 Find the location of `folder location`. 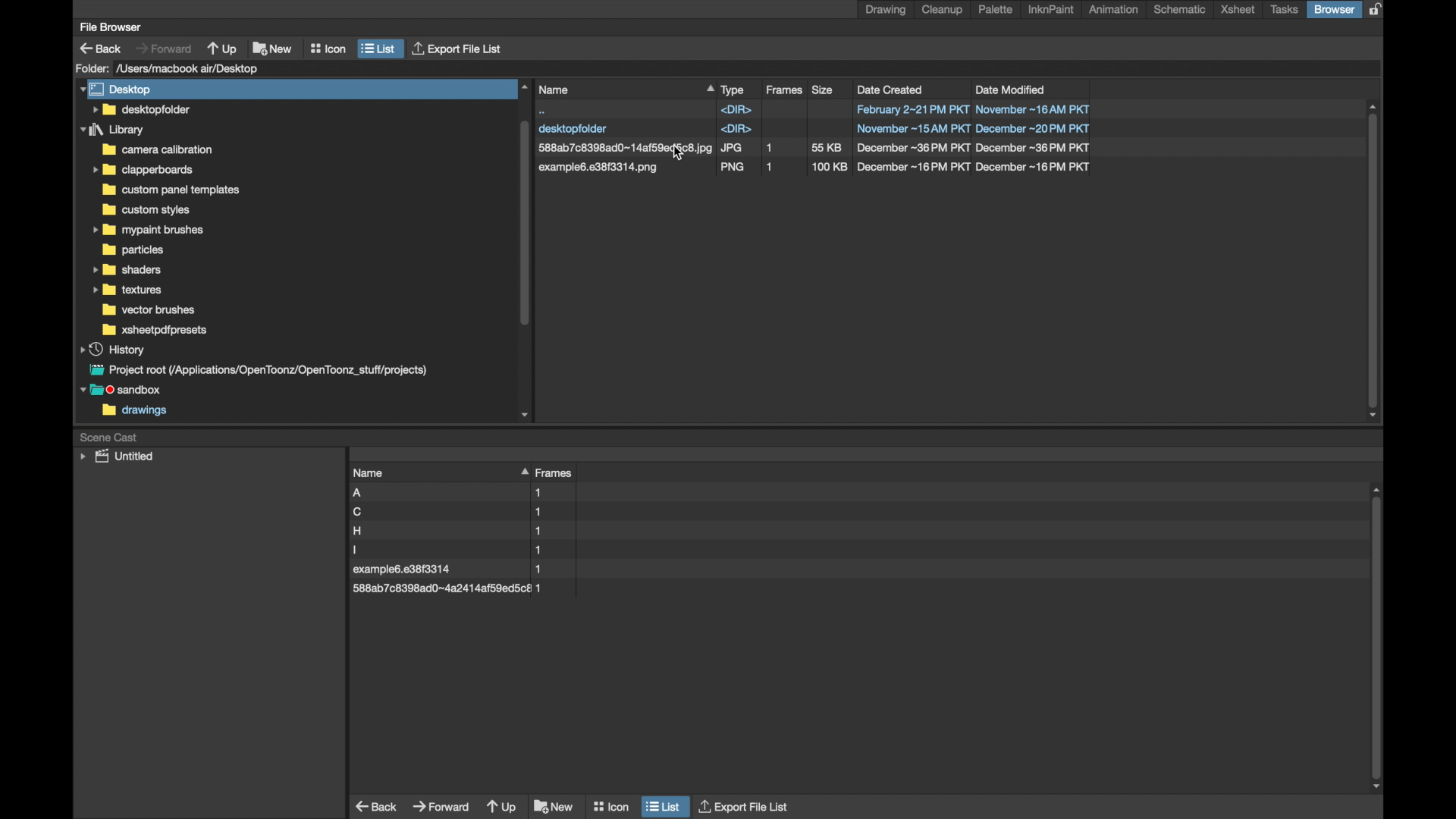

folder location is located at coordinates (190, 68).